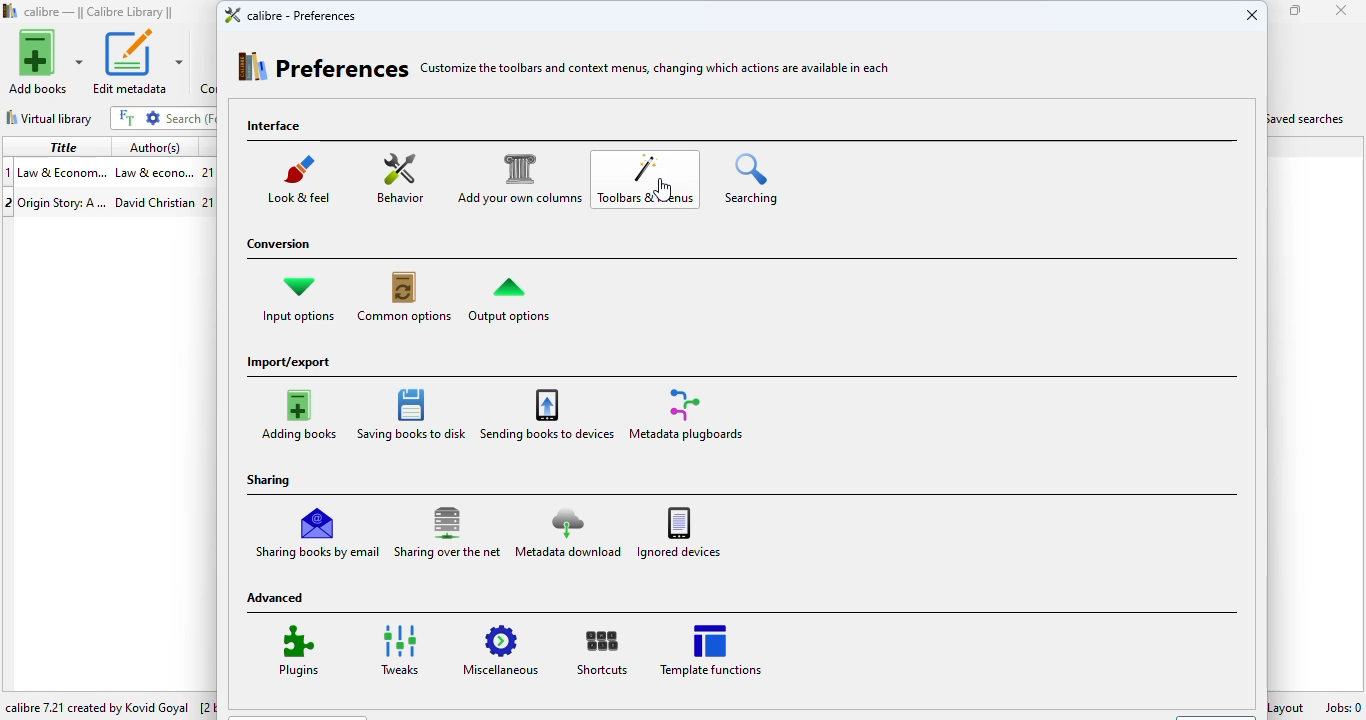  What do you see at coordinates (107, 171) in the screenshot?
I see `book 1` at bounding box center [107, 171].